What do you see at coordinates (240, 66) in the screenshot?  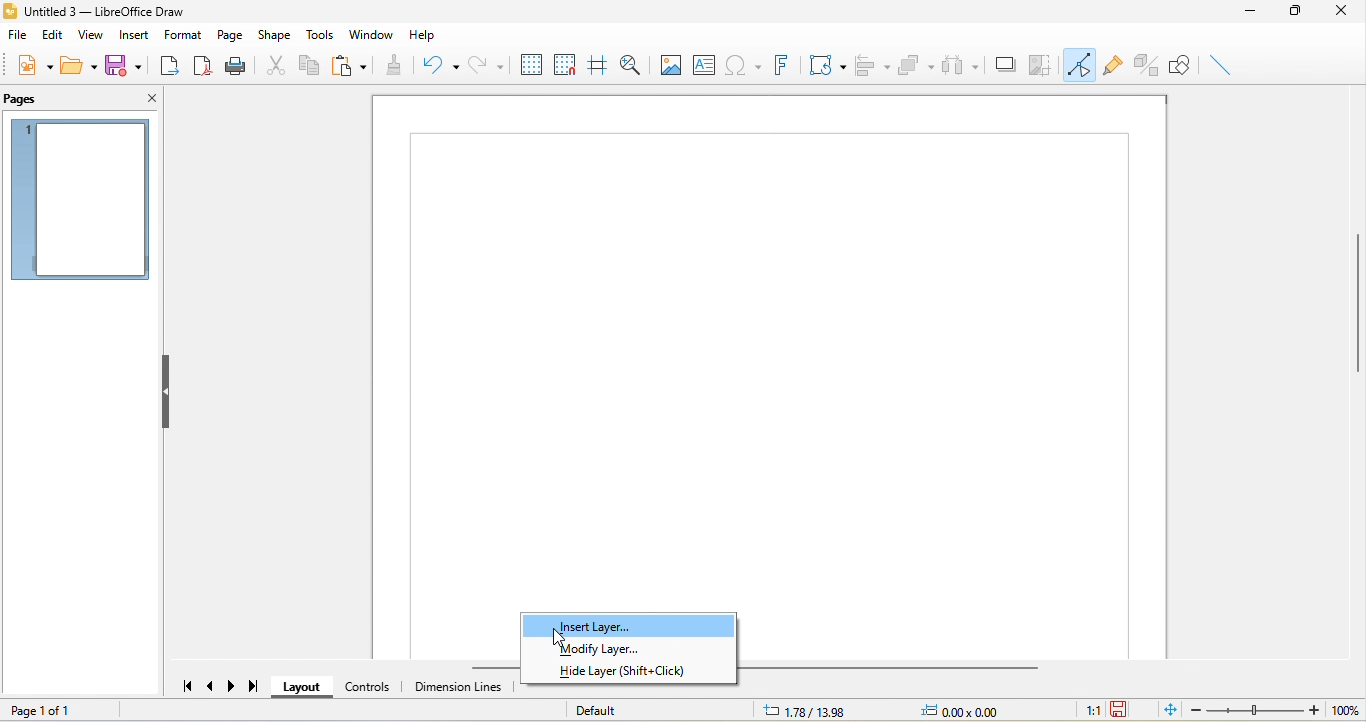 I see `print` at bounding box center [240, 66].